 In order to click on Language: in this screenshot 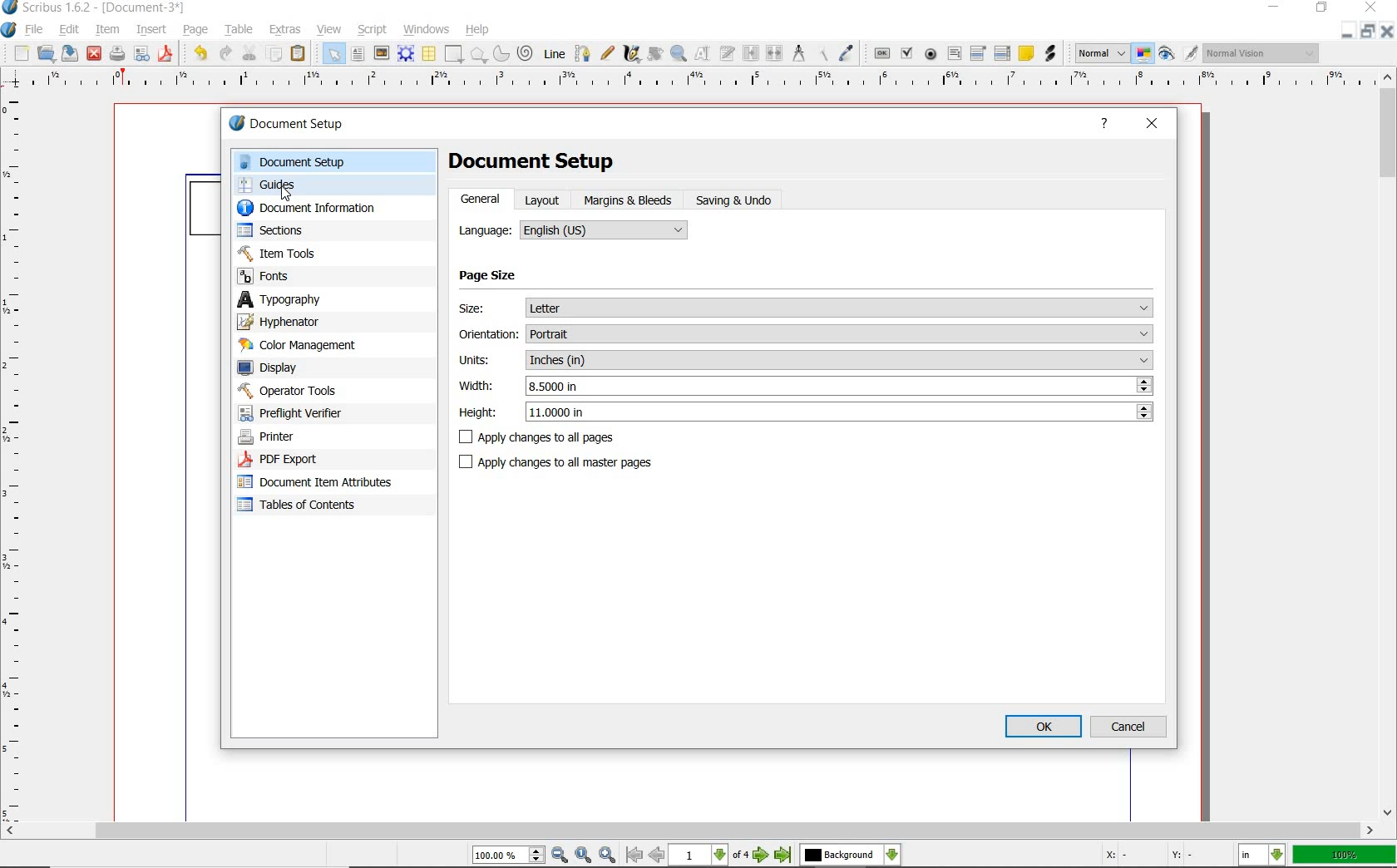, I will do `click(482, 230)`.